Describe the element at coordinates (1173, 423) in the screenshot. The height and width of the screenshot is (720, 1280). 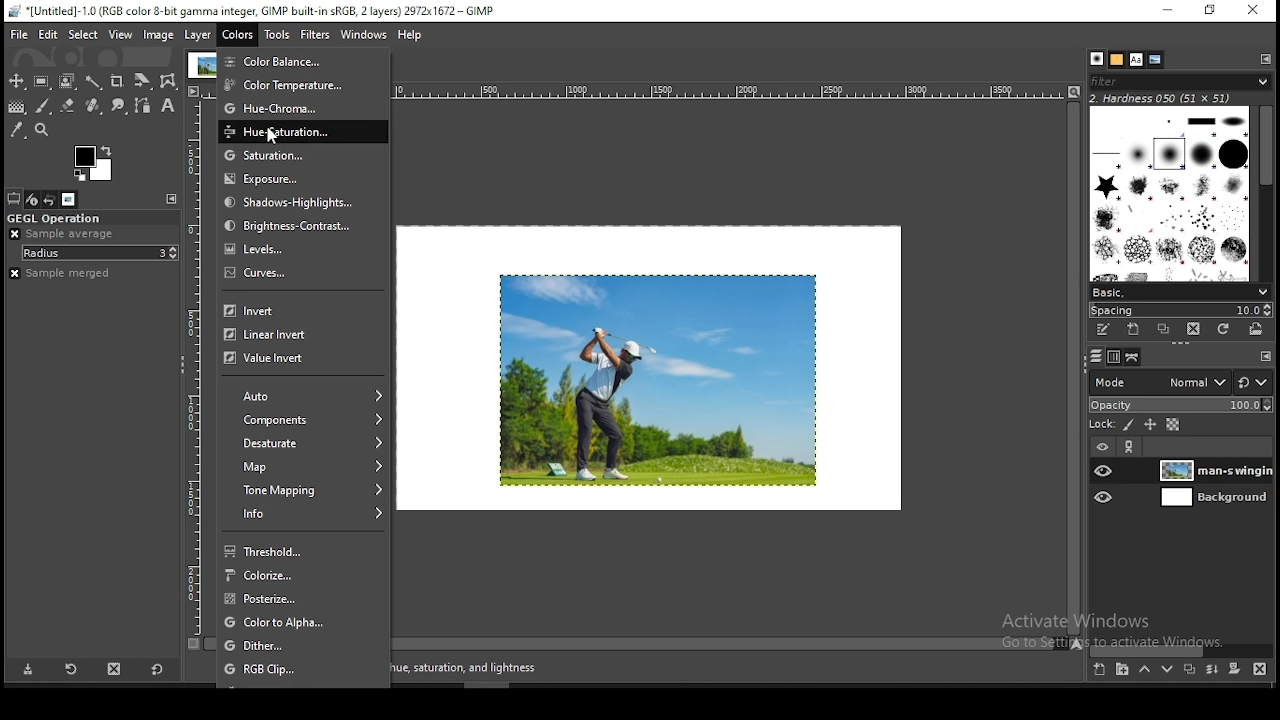
I see `lock alpha channel` at that location.